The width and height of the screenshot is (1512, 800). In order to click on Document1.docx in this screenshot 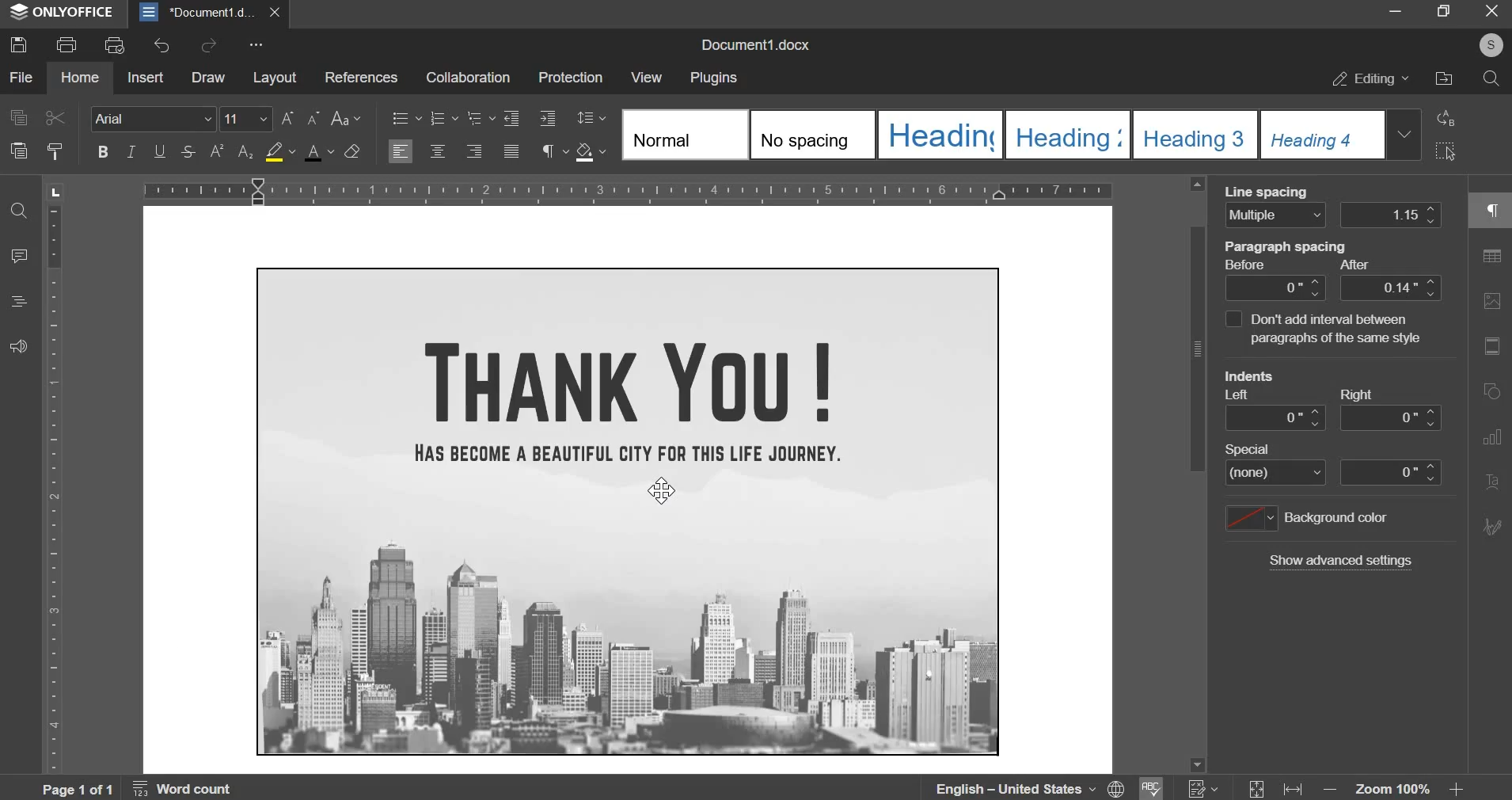, I will do `click(760, 42)`.